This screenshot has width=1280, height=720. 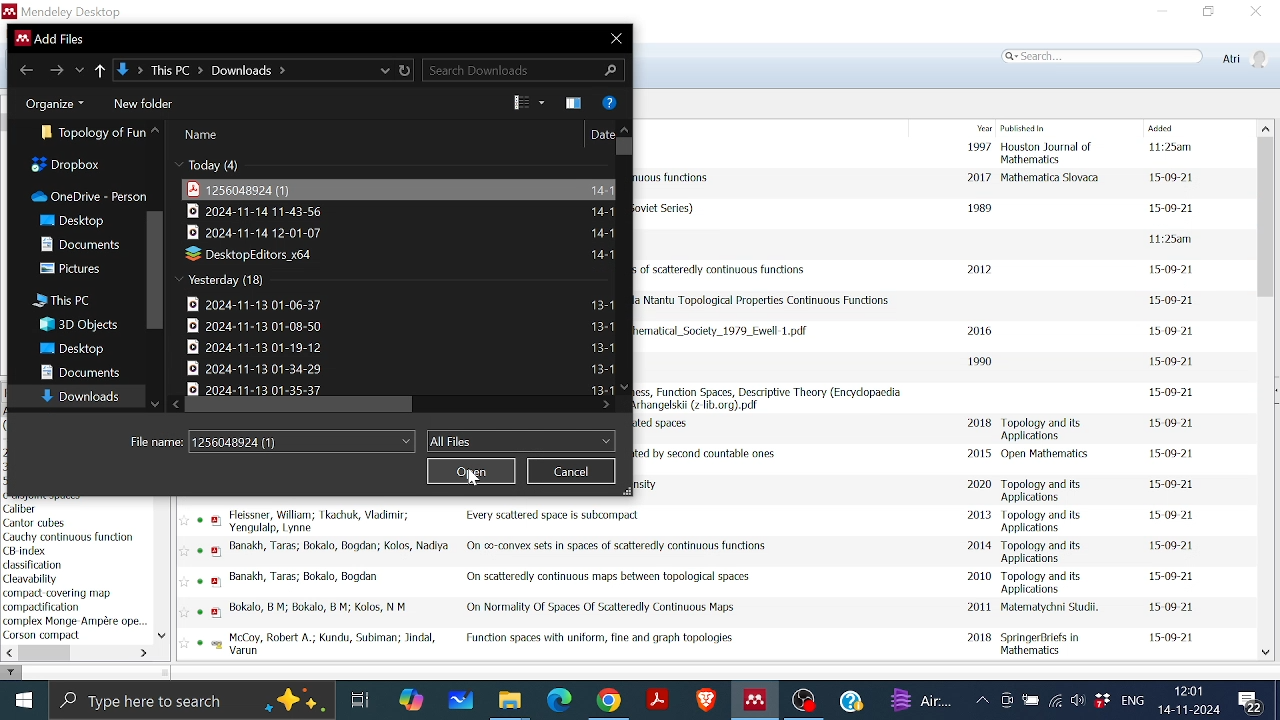 I want to click on Published in, so click(x=1052, y=176).